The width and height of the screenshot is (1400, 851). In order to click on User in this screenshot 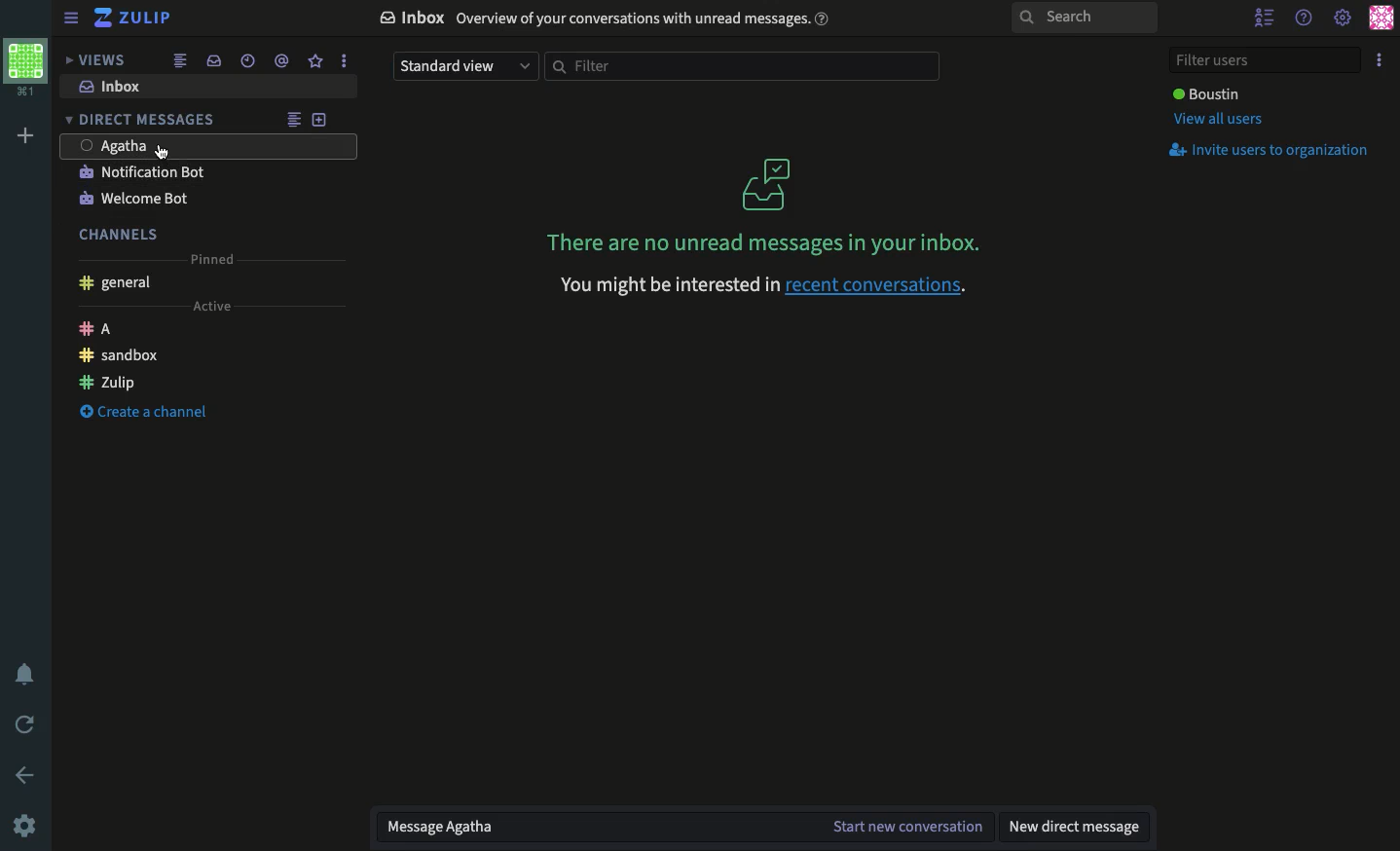, I will do `click(1209, 92)`.